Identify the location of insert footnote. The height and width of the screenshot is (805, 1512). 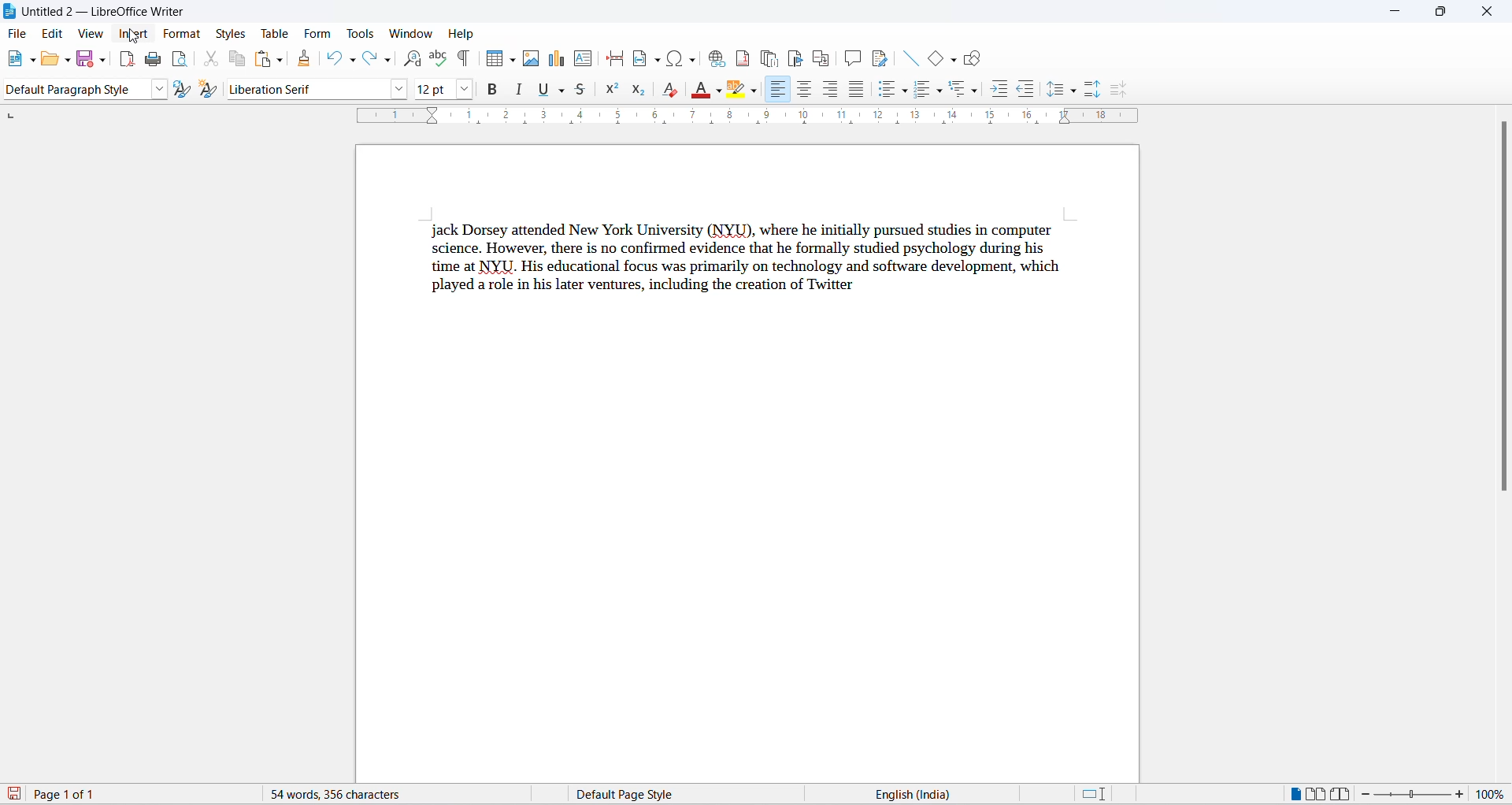
(739, 58).